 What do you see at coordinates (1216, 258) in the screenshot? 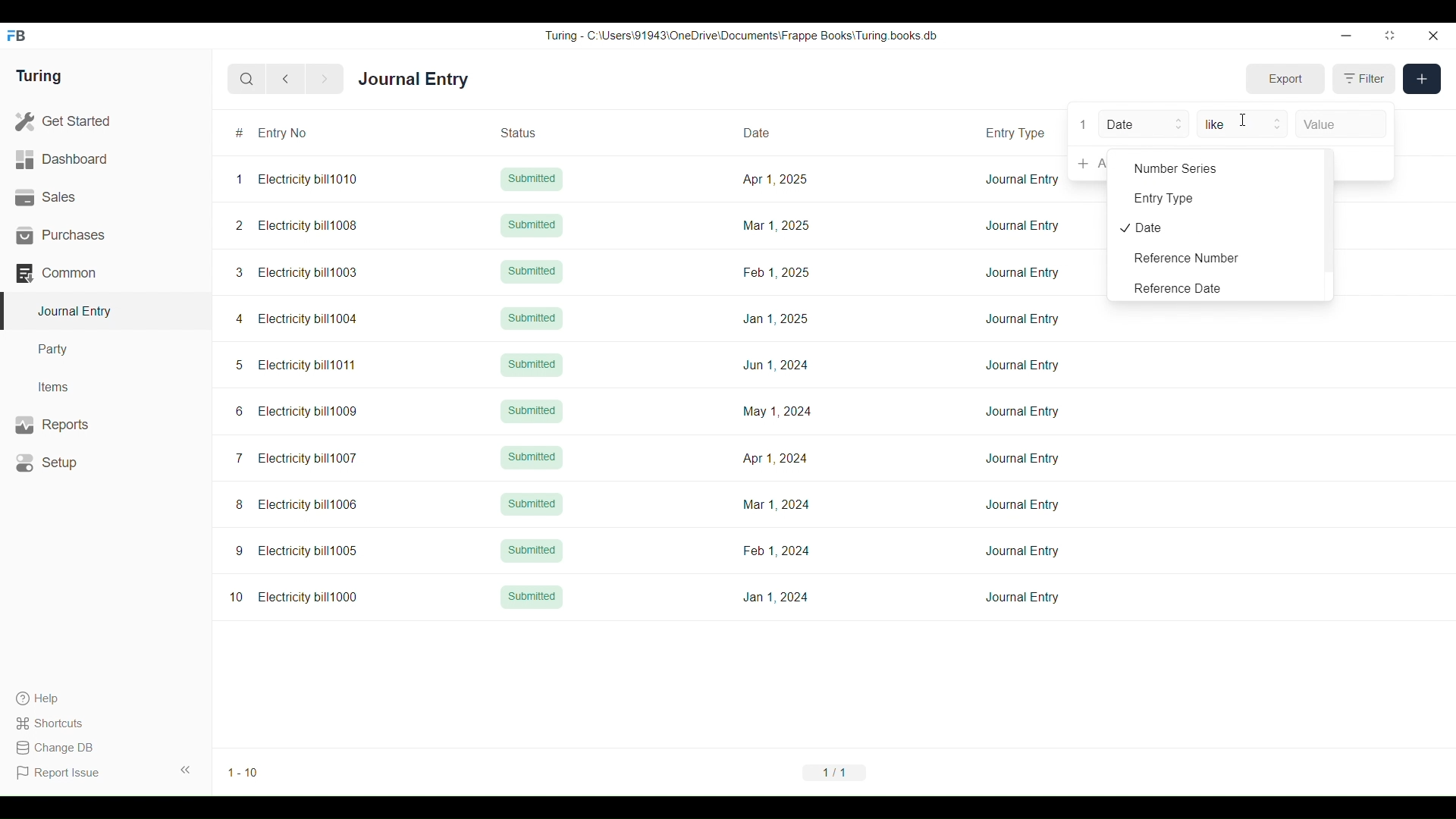
I see `Reference Number` at bounding box center [1216, 258].